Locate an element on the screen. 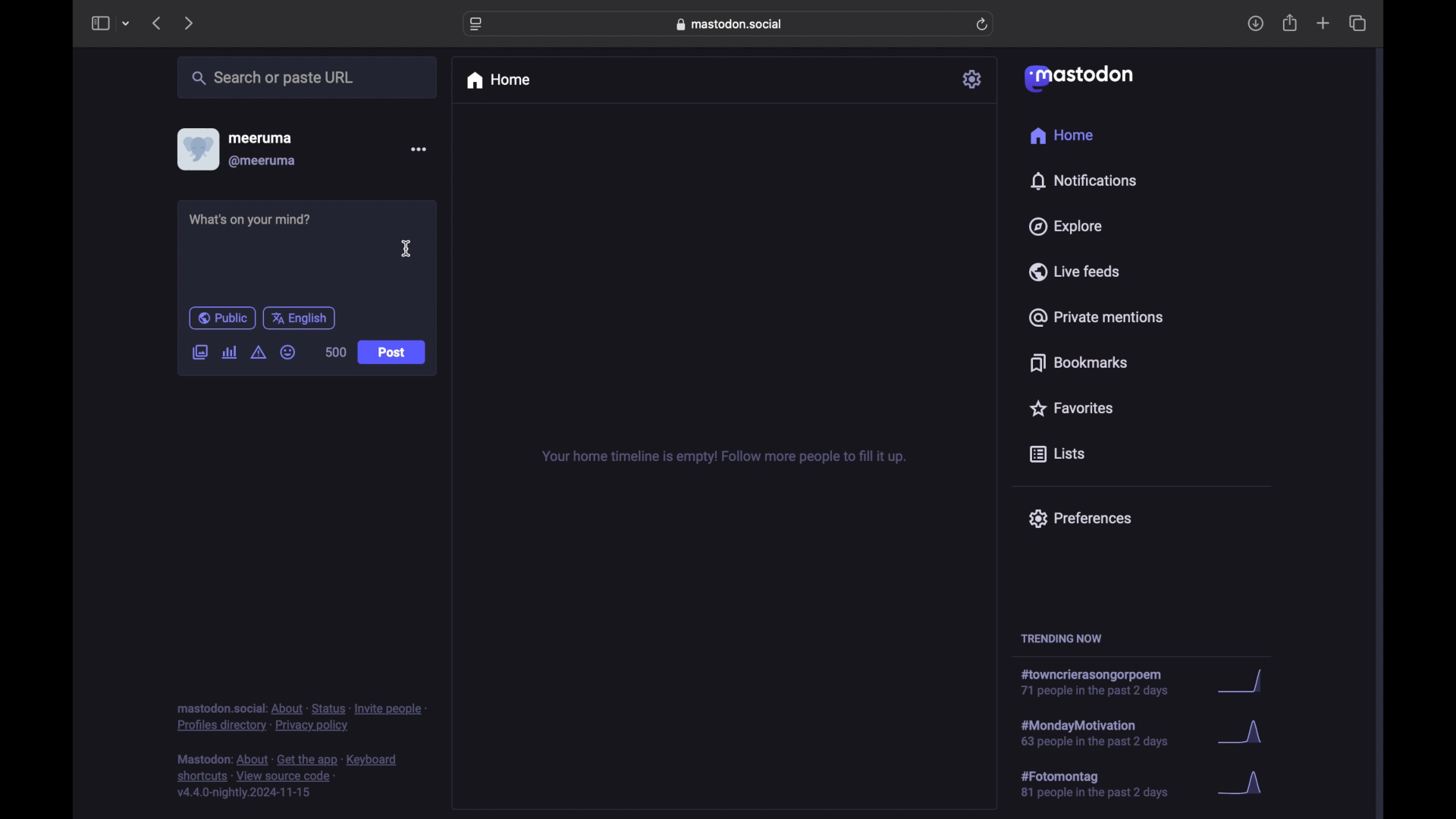  add poll is located at coordinates (231, 353).